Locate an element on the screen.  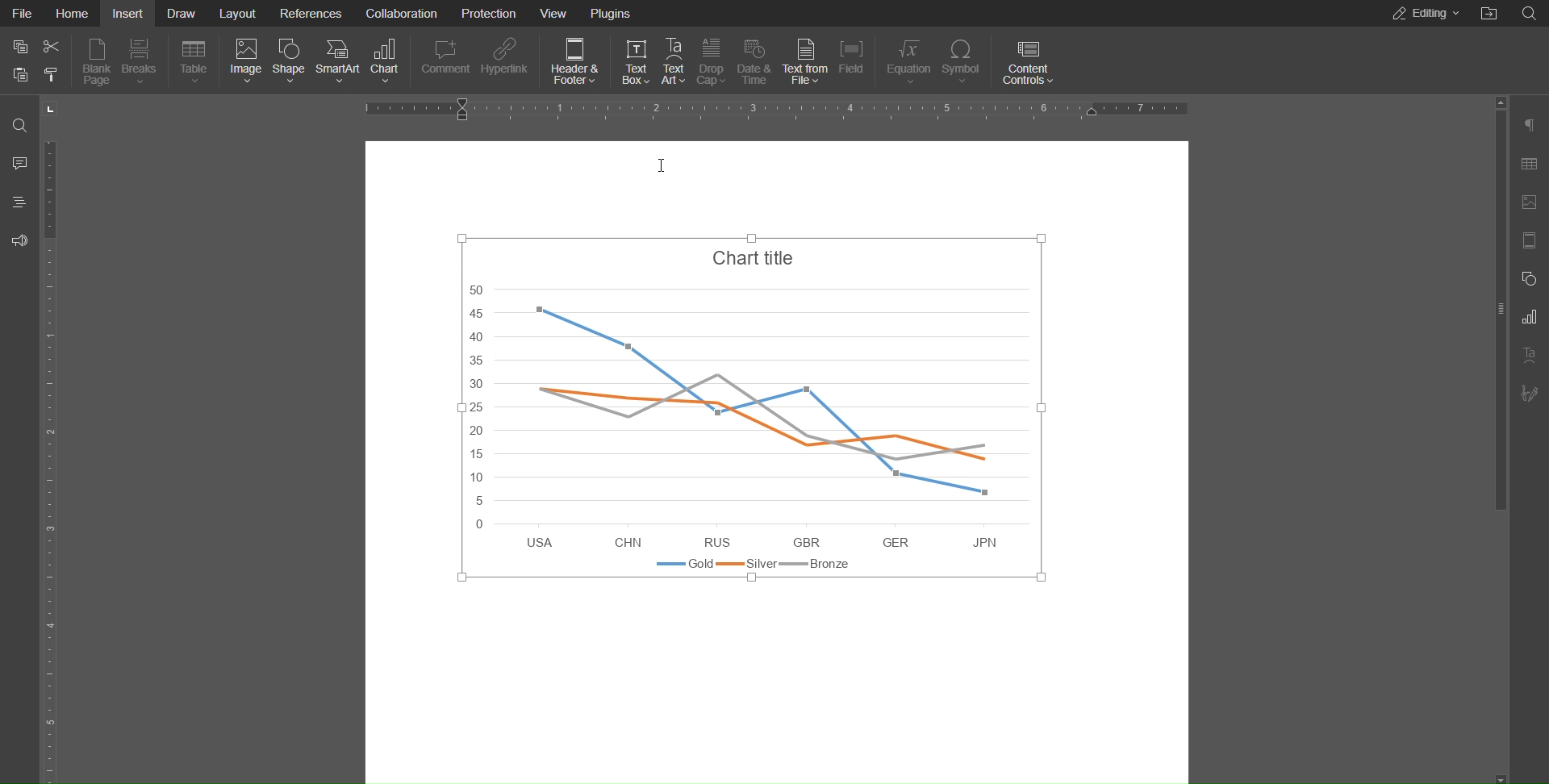
Plank Page is located at coordinates (96, 65).